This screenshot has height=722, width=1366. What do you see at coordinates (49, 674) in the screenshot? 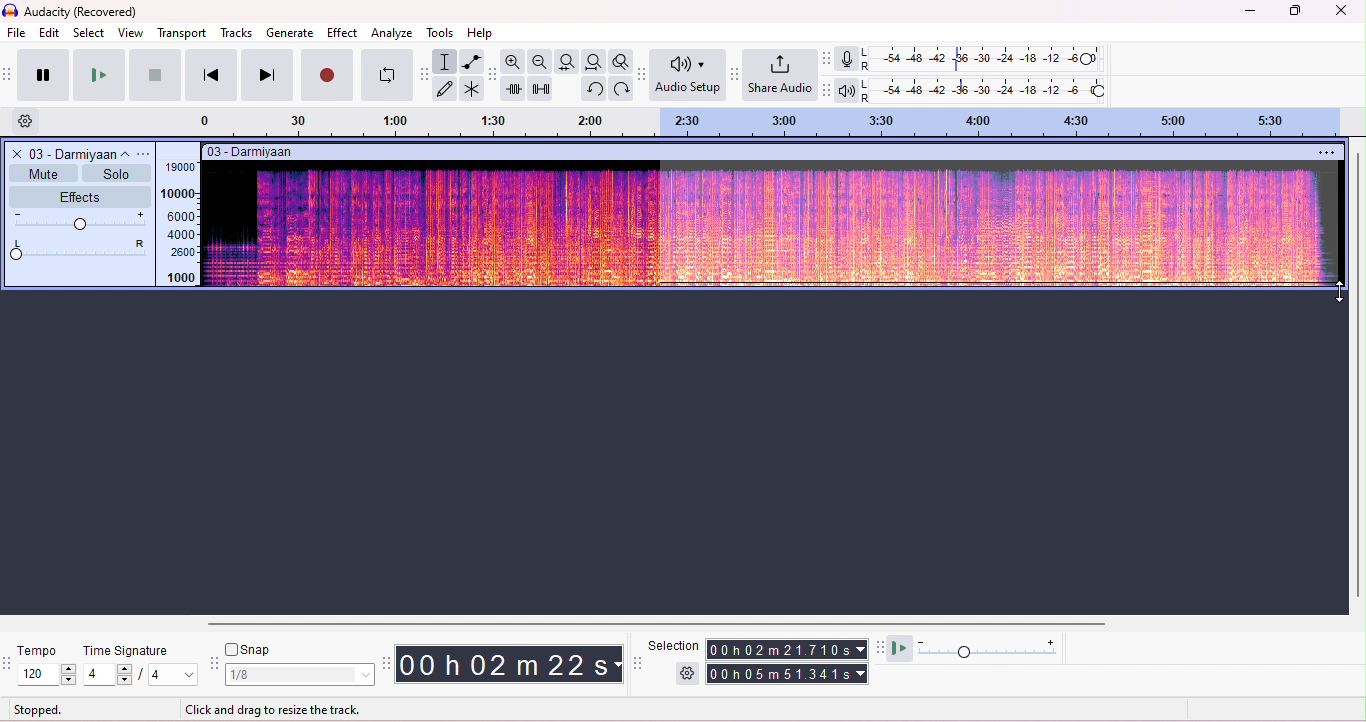
I see `tempo selection` at bounding box center [49, 674].